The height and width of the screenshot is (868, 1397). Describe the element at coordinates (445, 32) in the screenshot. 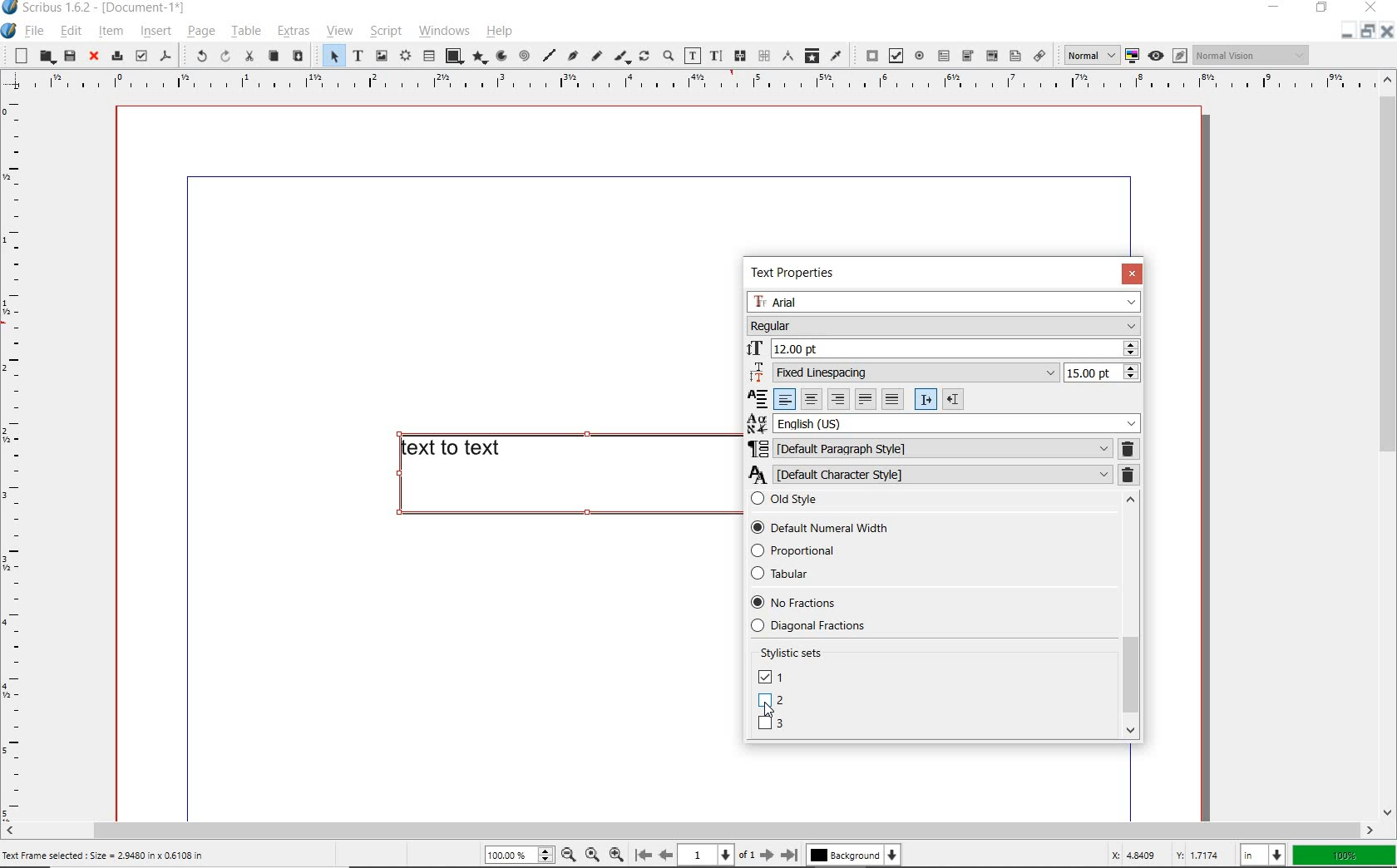

I see `windows` at that location.